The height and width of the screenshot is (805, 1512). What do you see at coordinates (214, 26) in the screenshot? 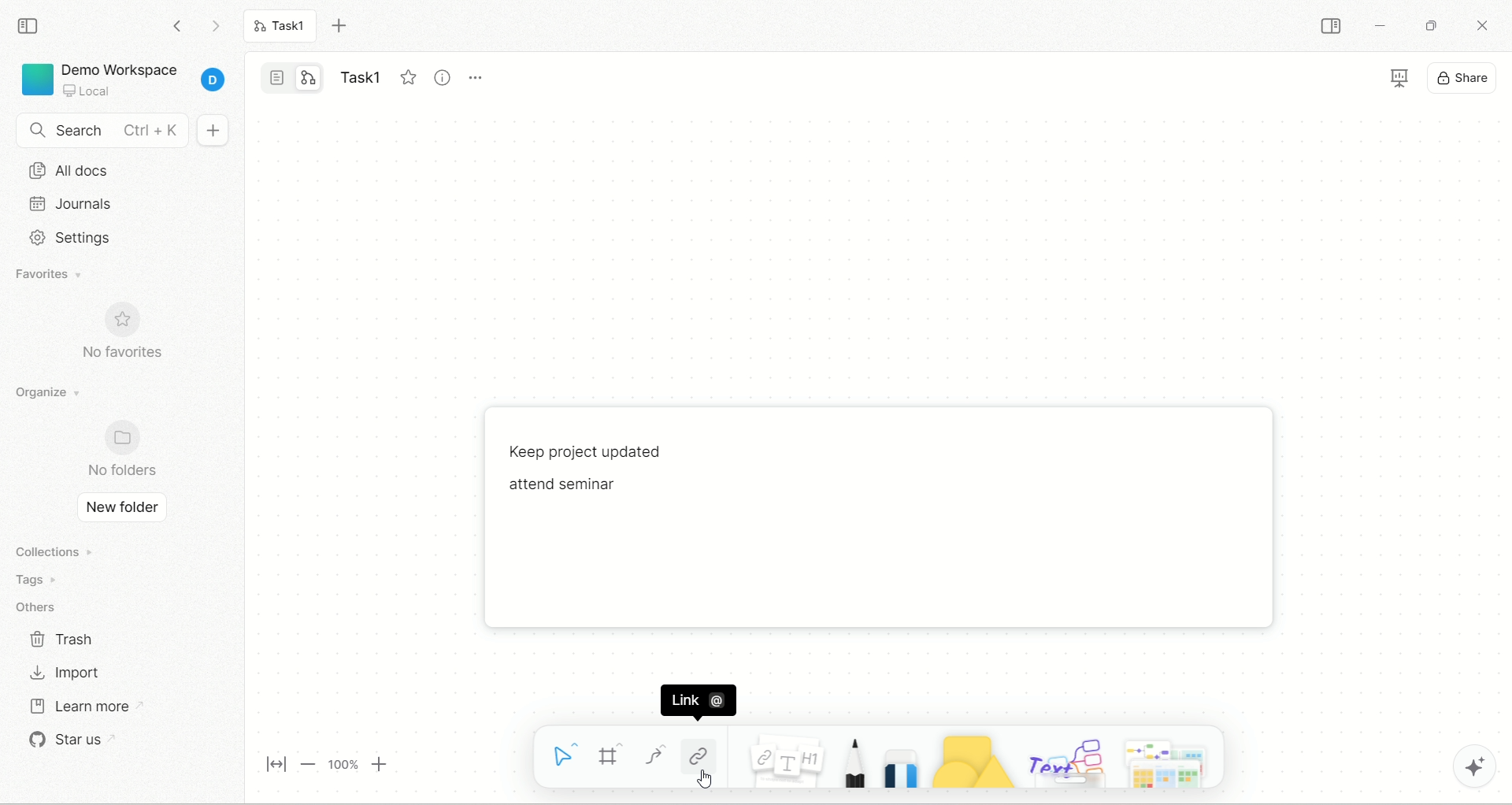
I see `go forward` at bounding box center [214, 26].